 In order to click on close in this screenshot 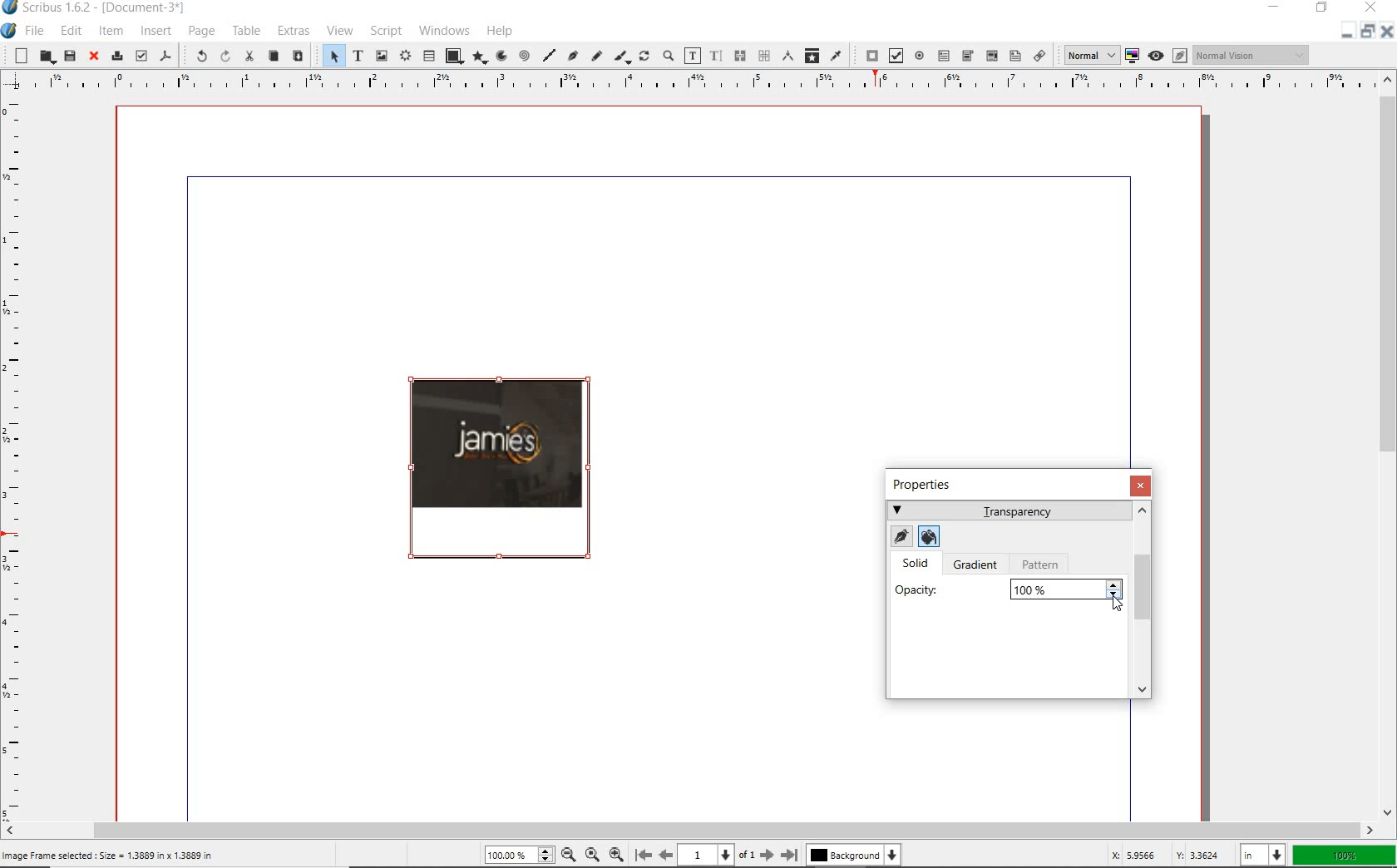, I will do `click(95, 56)`.